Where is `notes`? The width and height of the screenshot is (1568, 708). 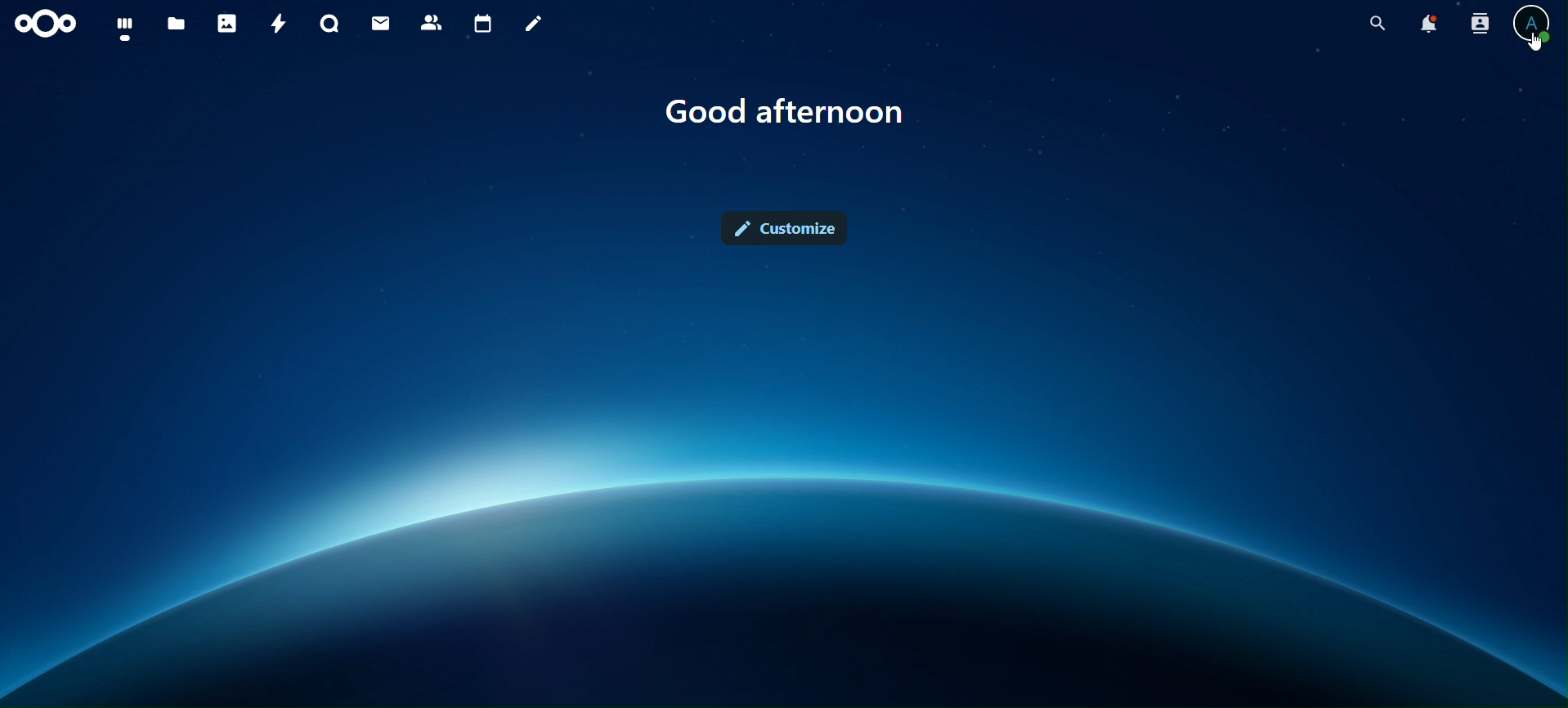 notes is located at coordinates (531, 25).